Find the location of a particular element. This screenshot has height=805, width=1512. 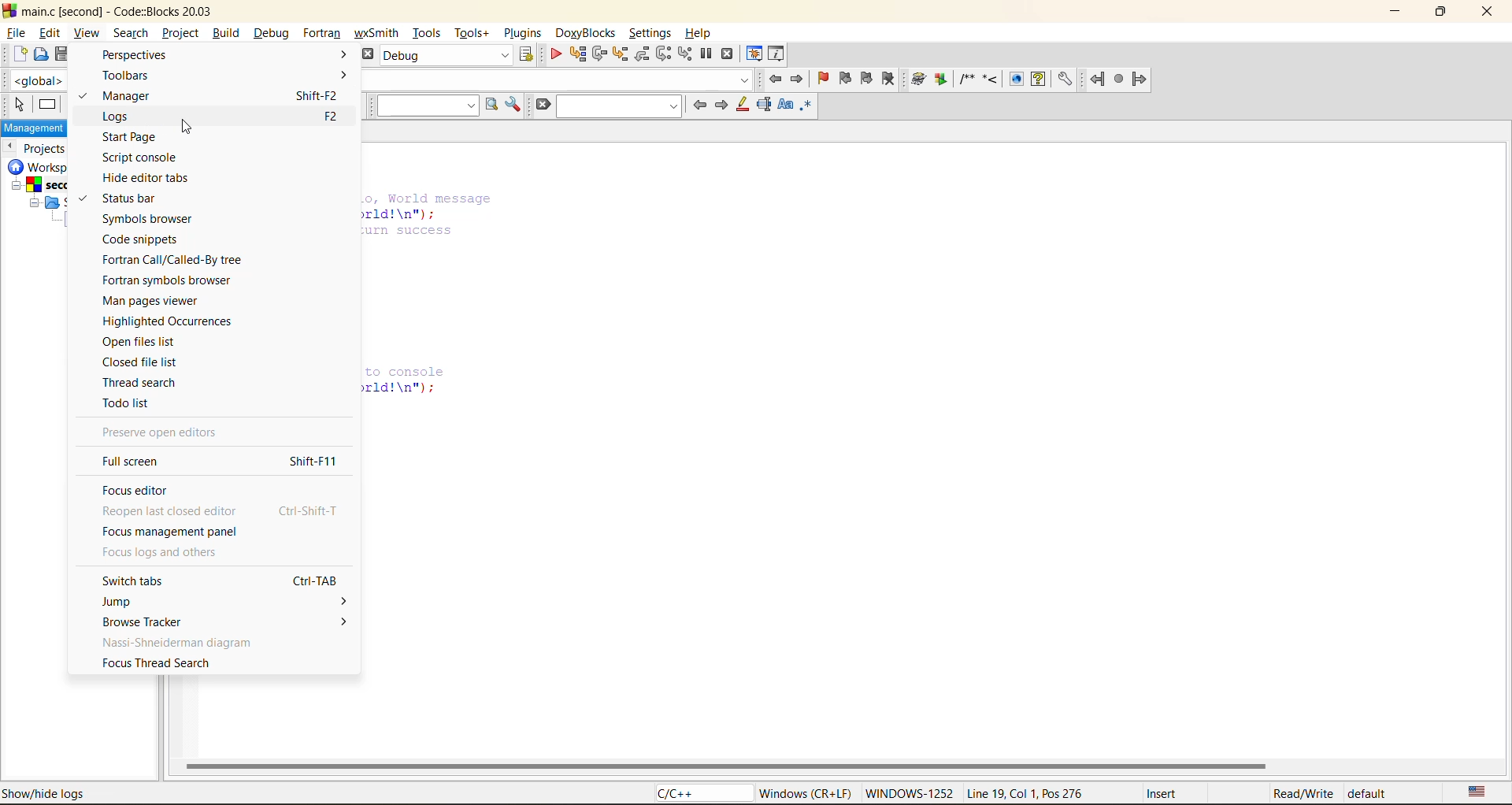

fortran symbols browser is located at coordinates (169, 278).